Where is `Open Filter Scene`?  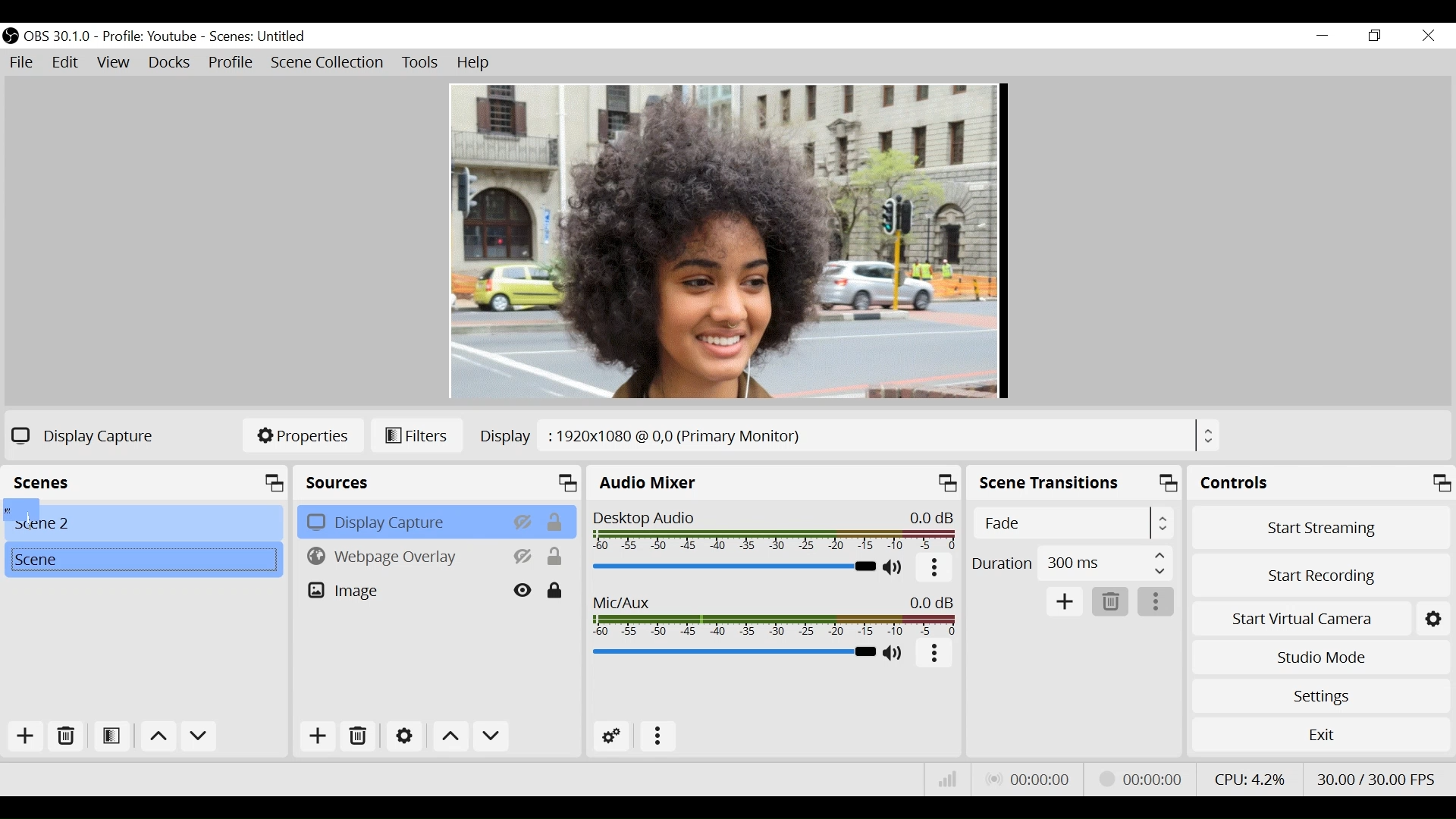
Open Filter Scene is located at coordinates (113, 736).